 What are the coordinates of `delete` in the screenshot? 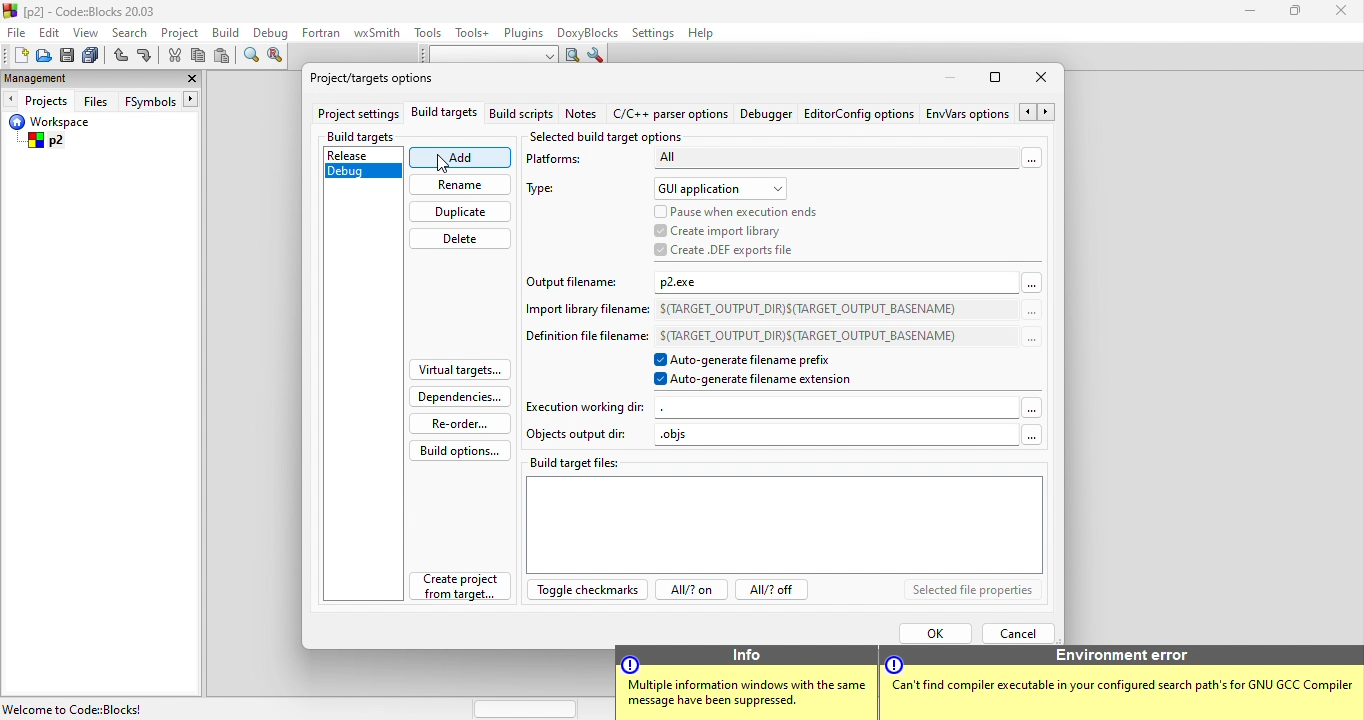 It's located at (467, 241).